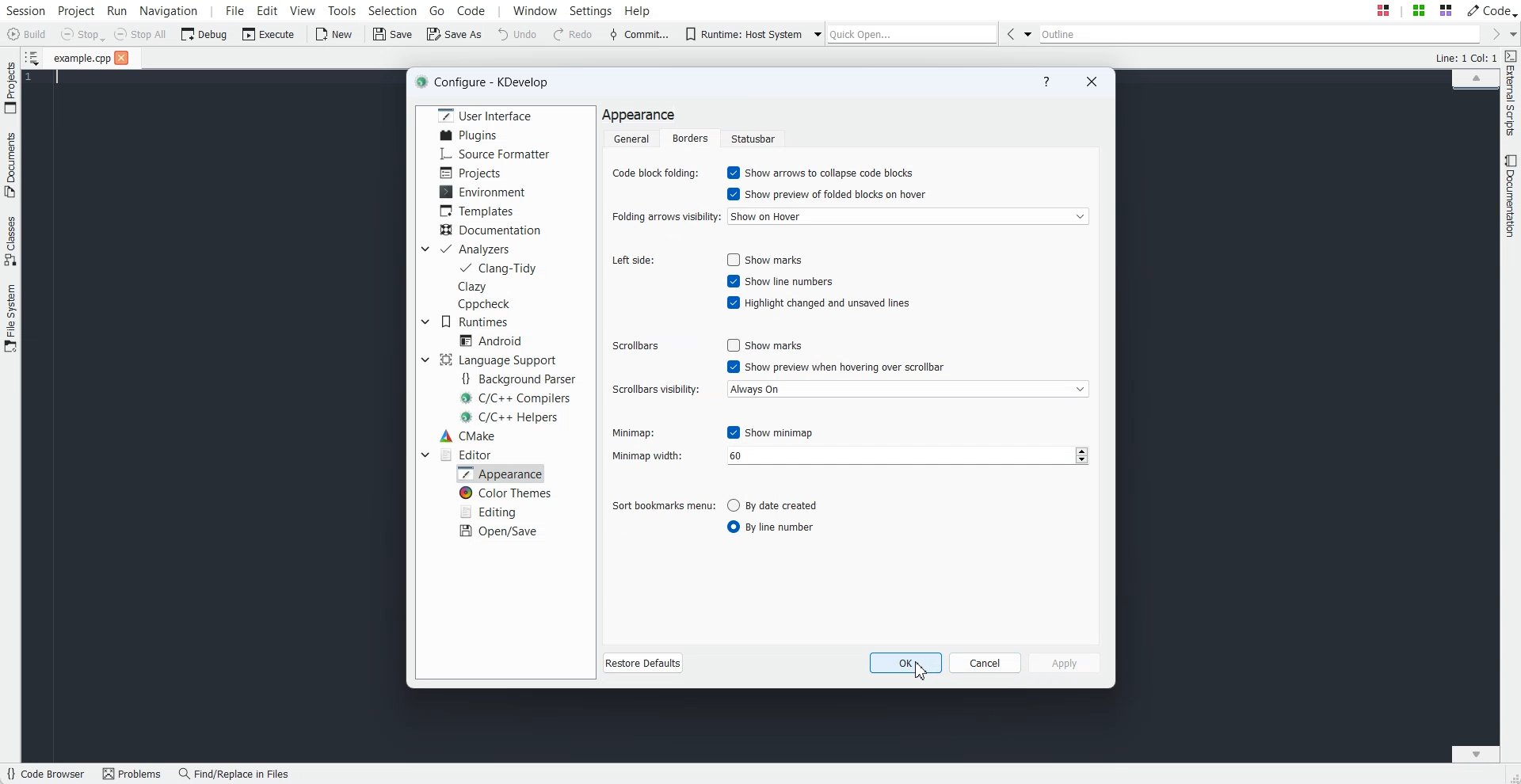  Describe the element at coordinates (1491, 78) in the screenshot. I see `Scroll up` at that location.